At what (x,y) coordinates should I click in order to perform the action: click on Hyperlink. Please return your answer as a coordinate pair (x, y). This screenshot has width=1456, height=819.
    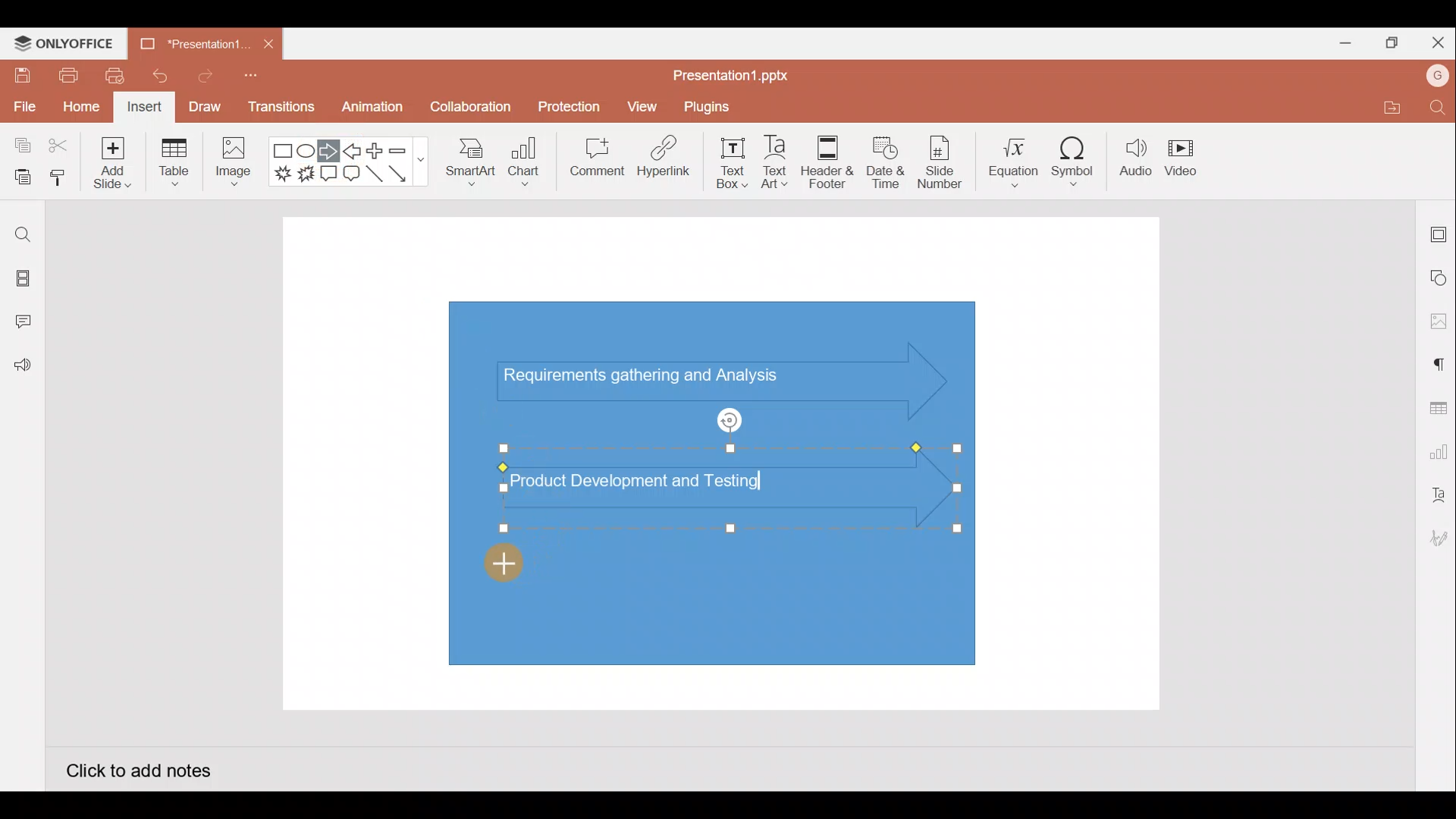
    Looking at the image, I should click on (660, 158).